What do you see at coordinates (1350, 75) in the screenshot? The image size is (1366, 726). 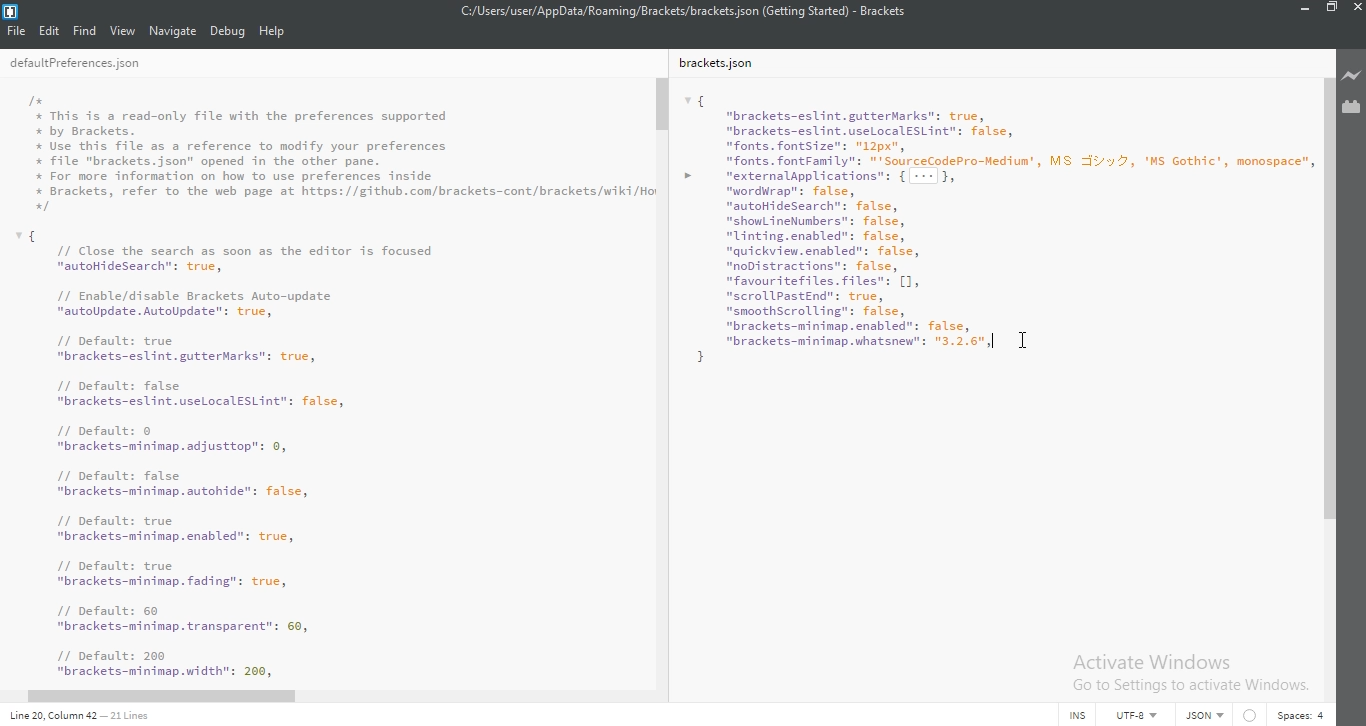 I see `live preview` at bounding box center [1350, 75].